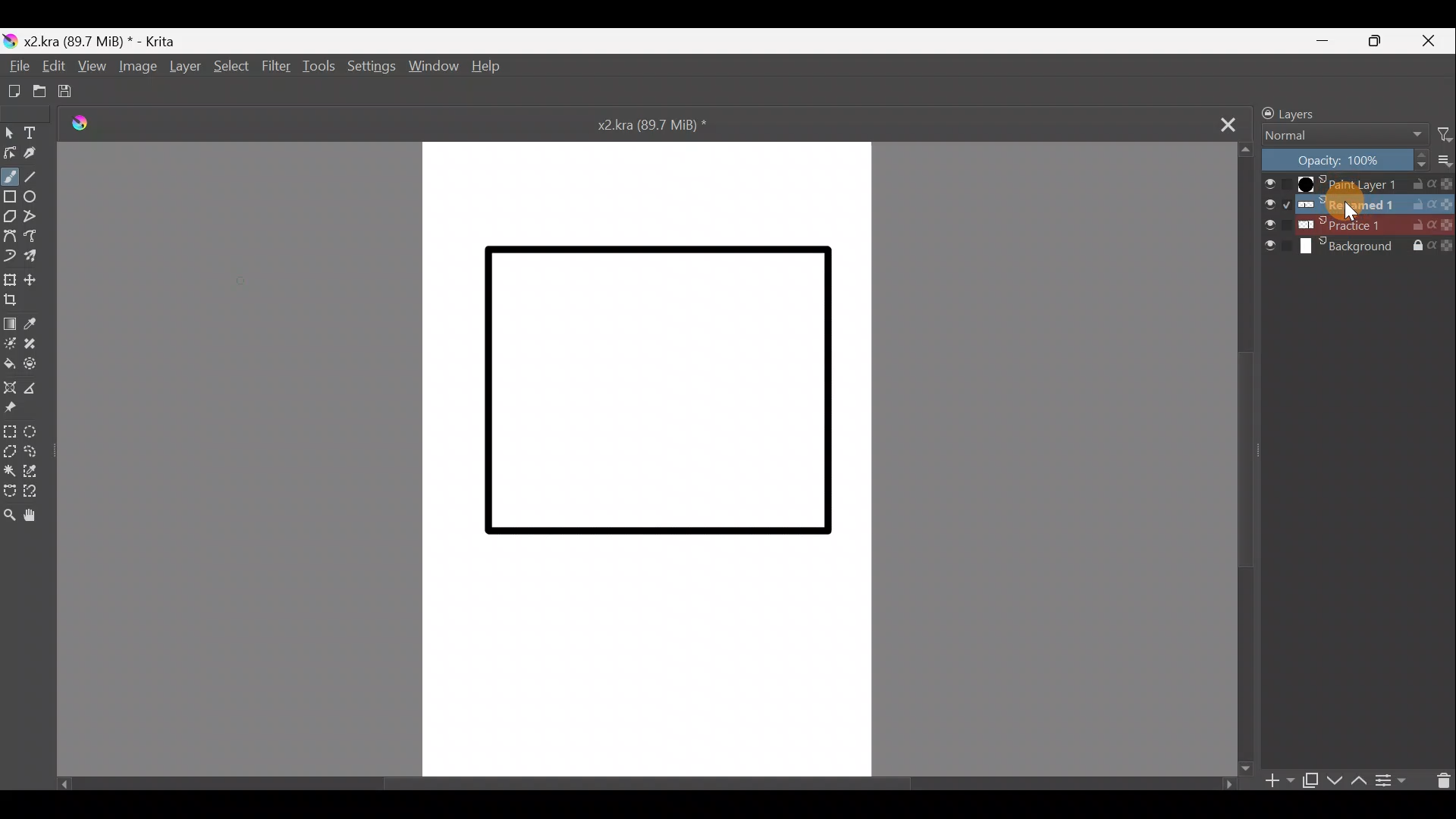 The image size is (1456, 819). I want to click on Transform a layer/selection, so click(10, 279).